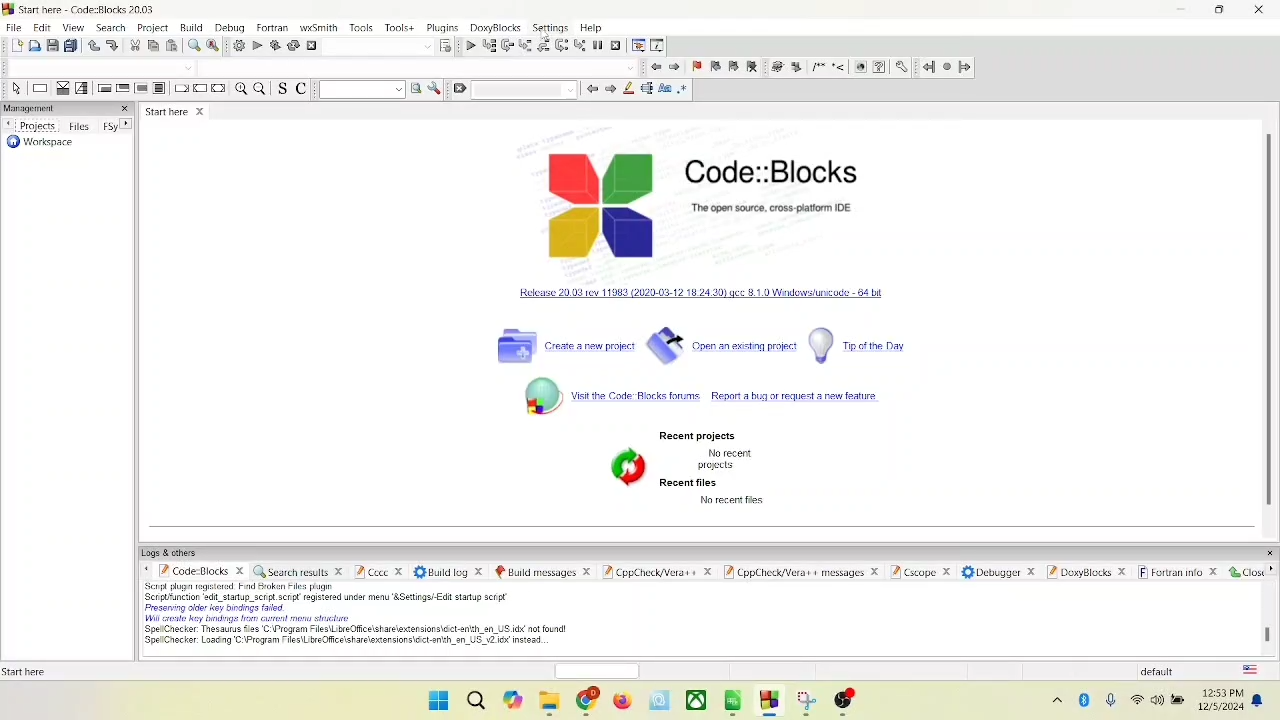  I want to click on return instruction, so click(219, 89).